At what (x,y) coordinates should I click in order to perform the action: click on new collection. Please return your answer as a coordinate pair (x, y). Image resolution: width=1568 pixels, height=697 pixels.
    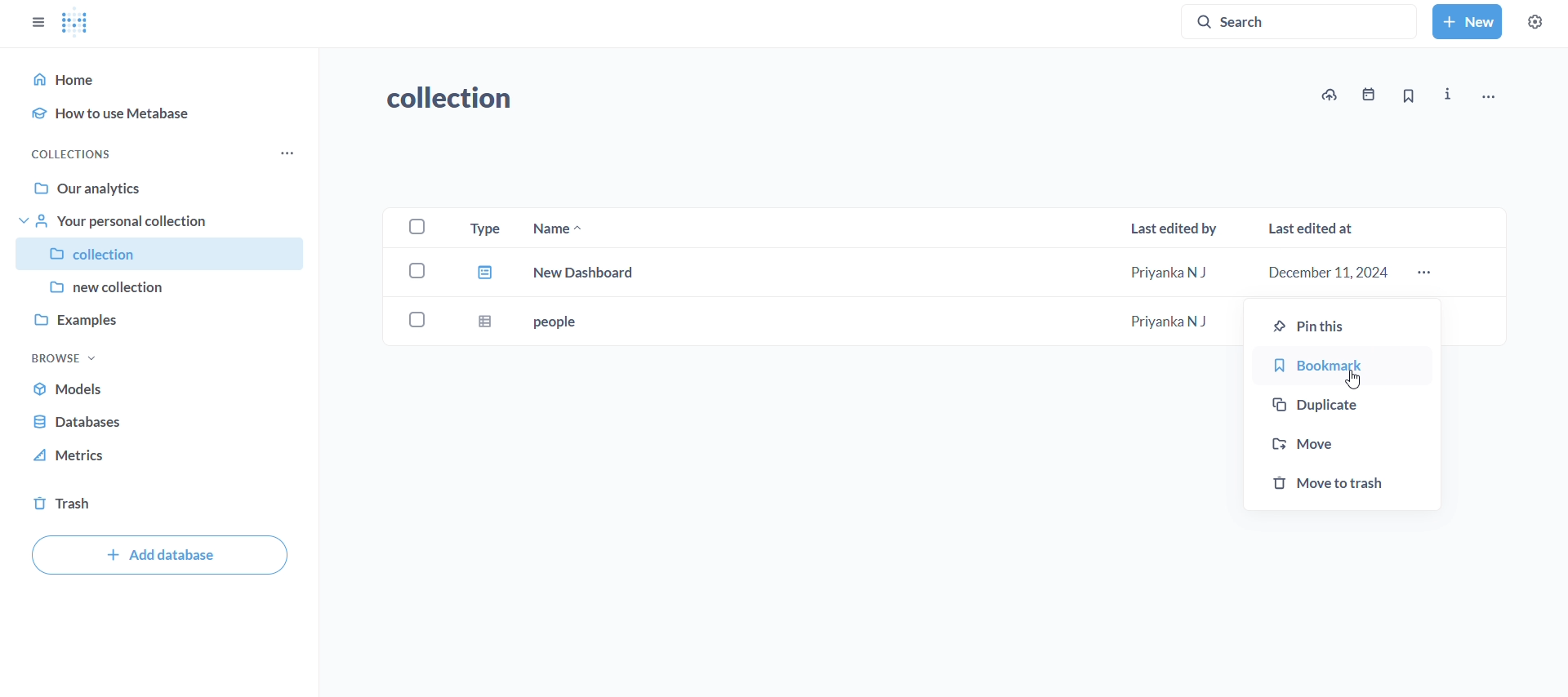
    Looking at the image, I should click on (159, 286).